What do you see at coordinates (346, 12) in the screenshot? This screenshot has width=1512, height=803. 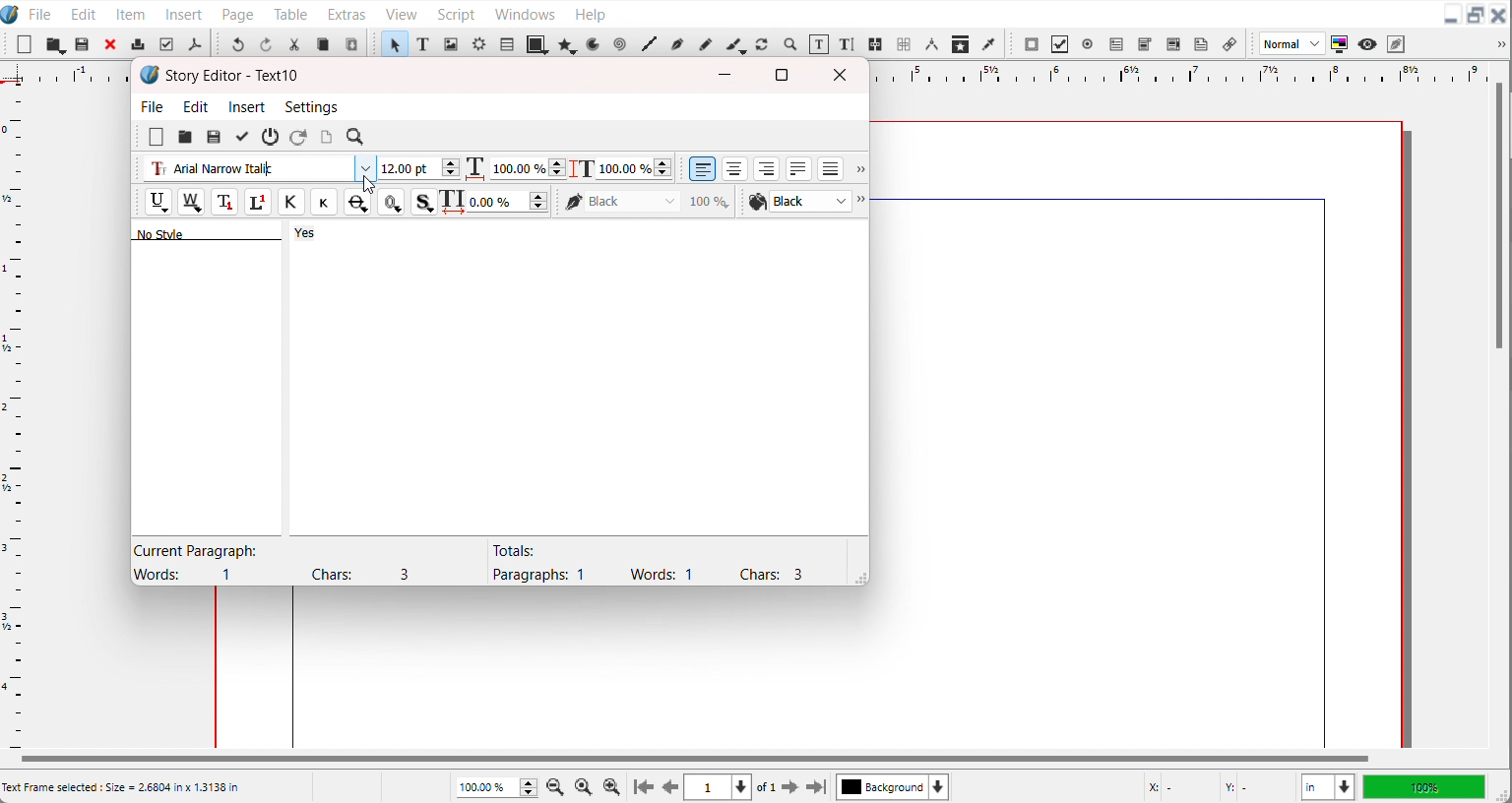 I see `Extras` at bounding box center [346, 12].